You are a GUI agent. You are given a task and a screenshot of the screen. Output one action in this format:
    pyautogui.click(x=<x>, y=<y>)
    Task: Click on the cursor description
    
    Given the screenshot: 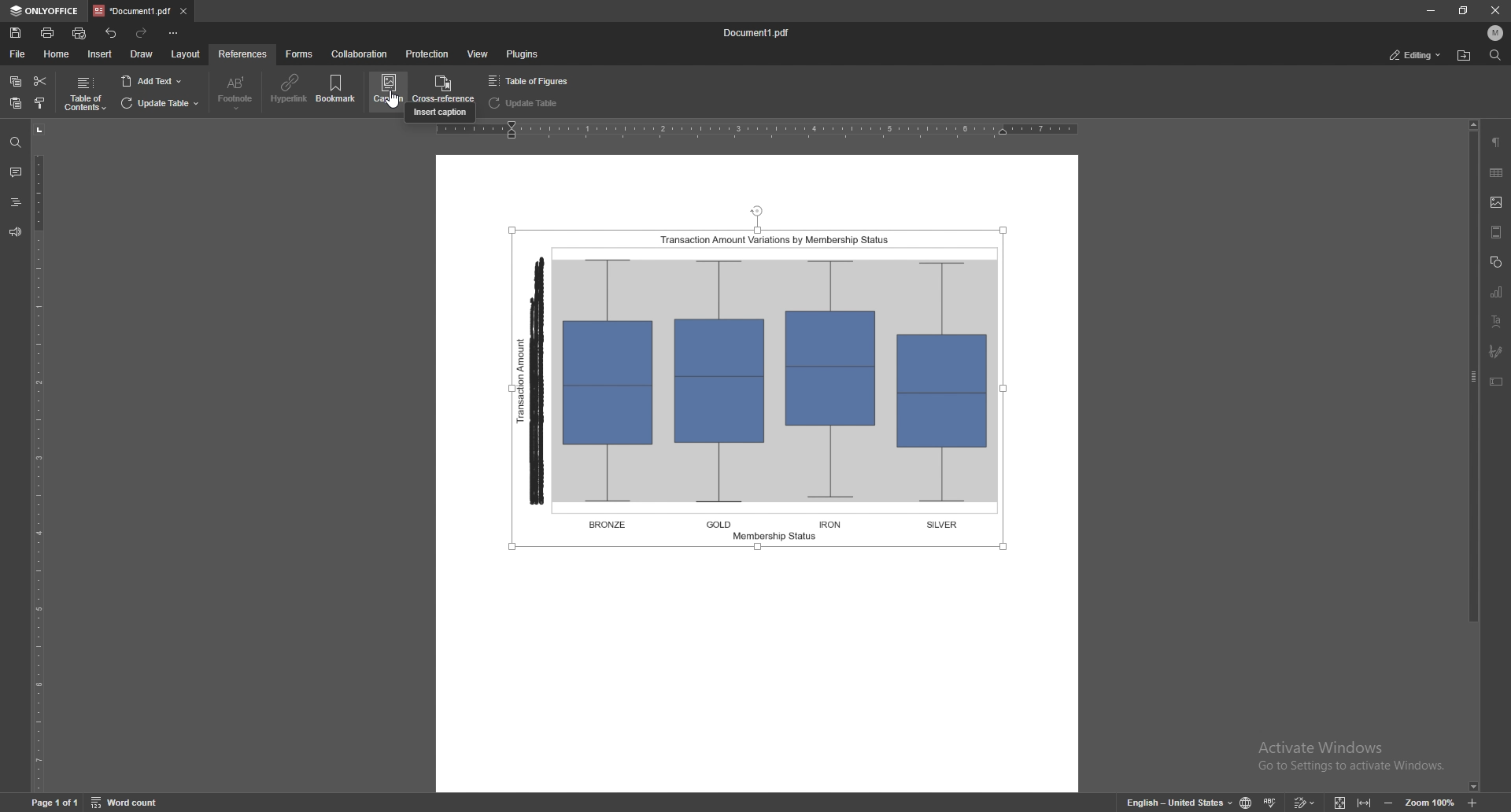 What is the action you would take?
    pyautogui.click(x=441, y=113)
    